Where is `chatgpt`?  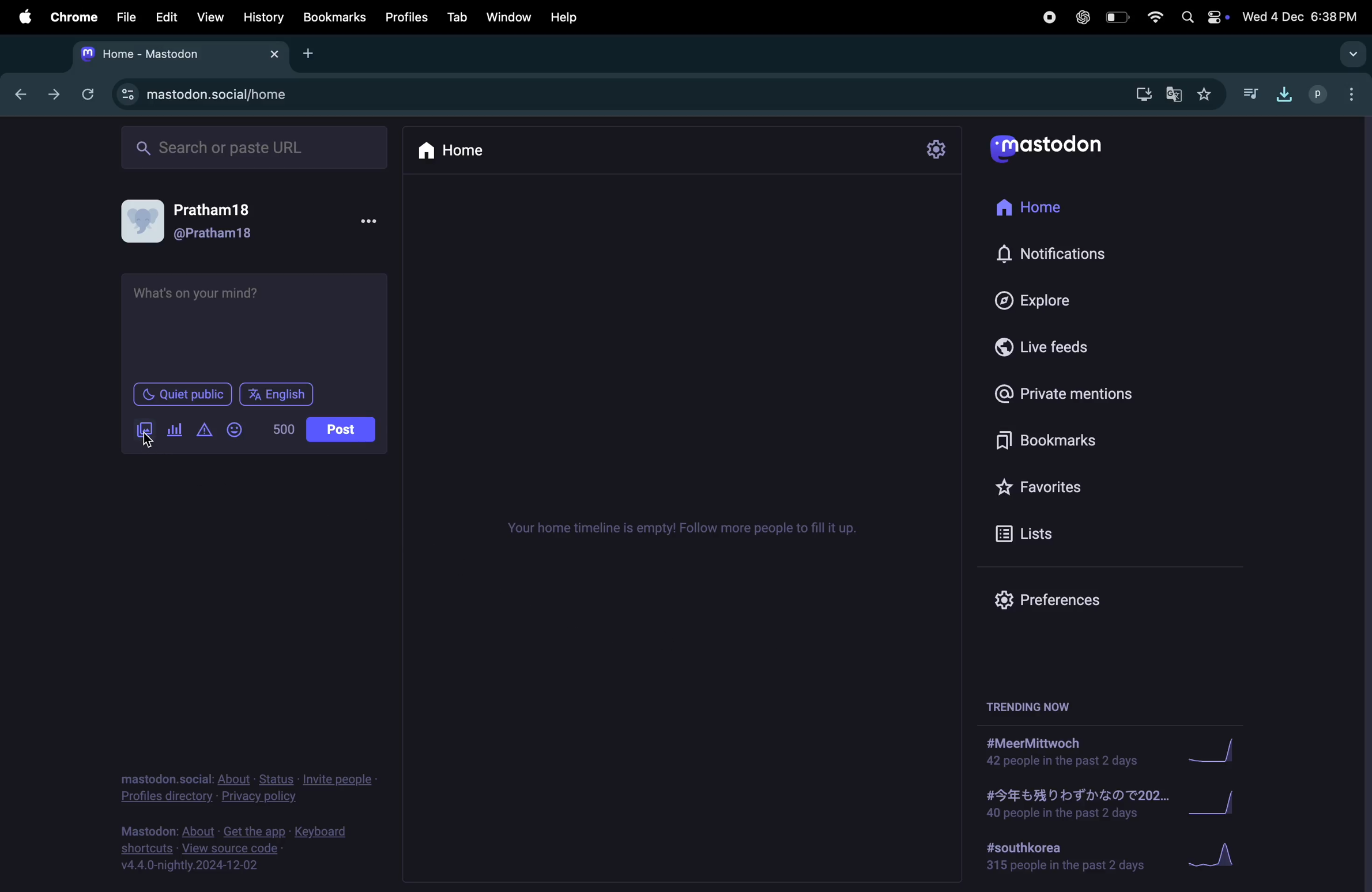
chatgpt is located at coordinates (1081, 17).